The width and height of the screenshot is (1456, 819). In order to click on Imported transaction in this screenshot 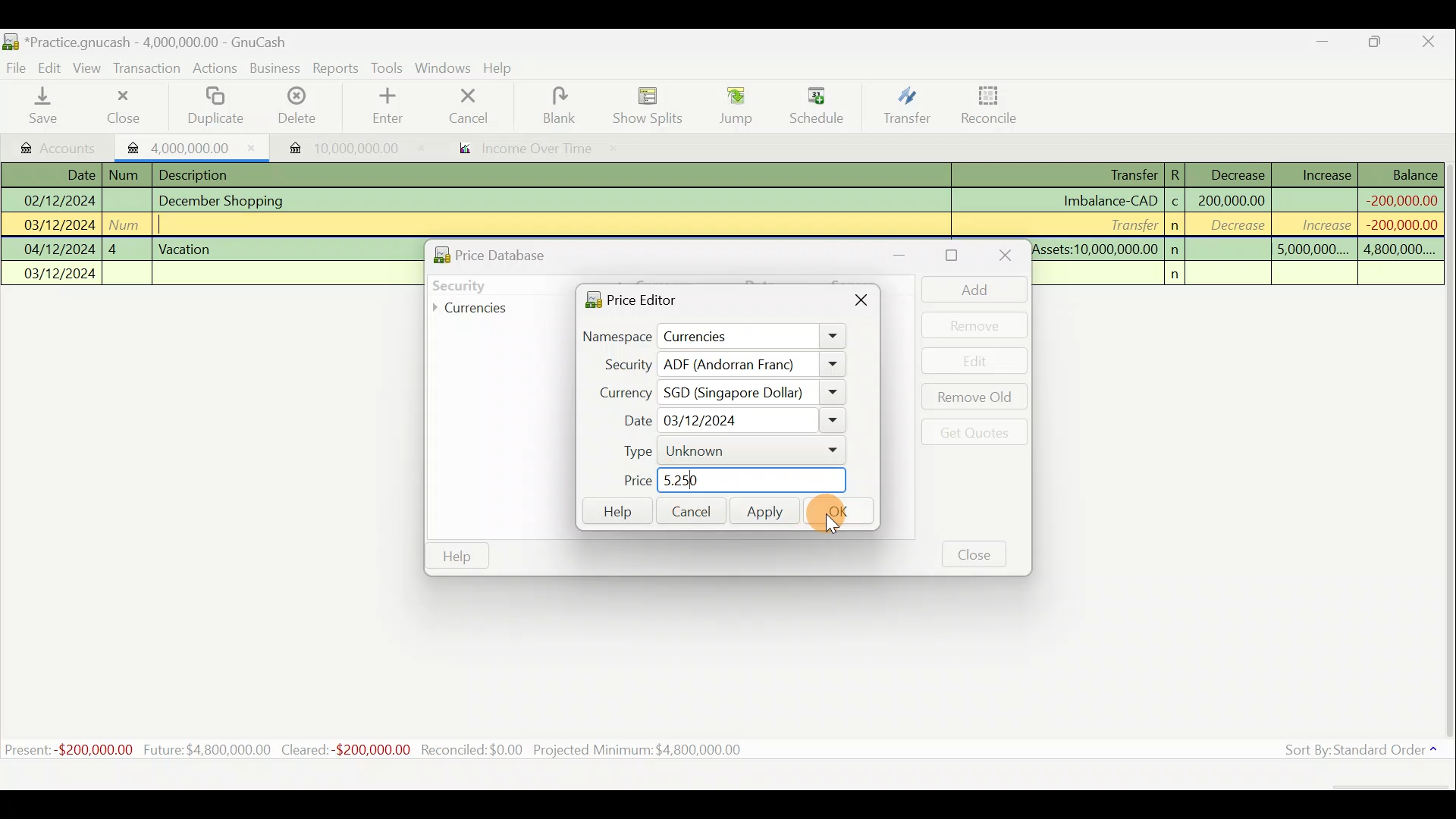, I will do `click(334, 144)`.